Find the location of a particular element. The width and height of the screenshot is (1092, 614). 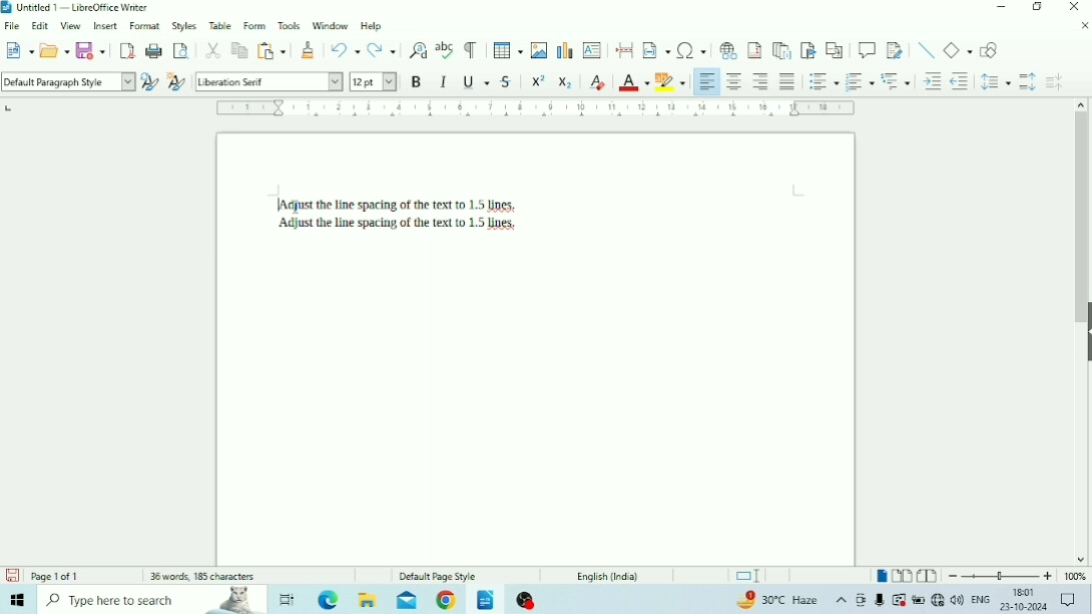

Open is located at coordinates (55, 50).